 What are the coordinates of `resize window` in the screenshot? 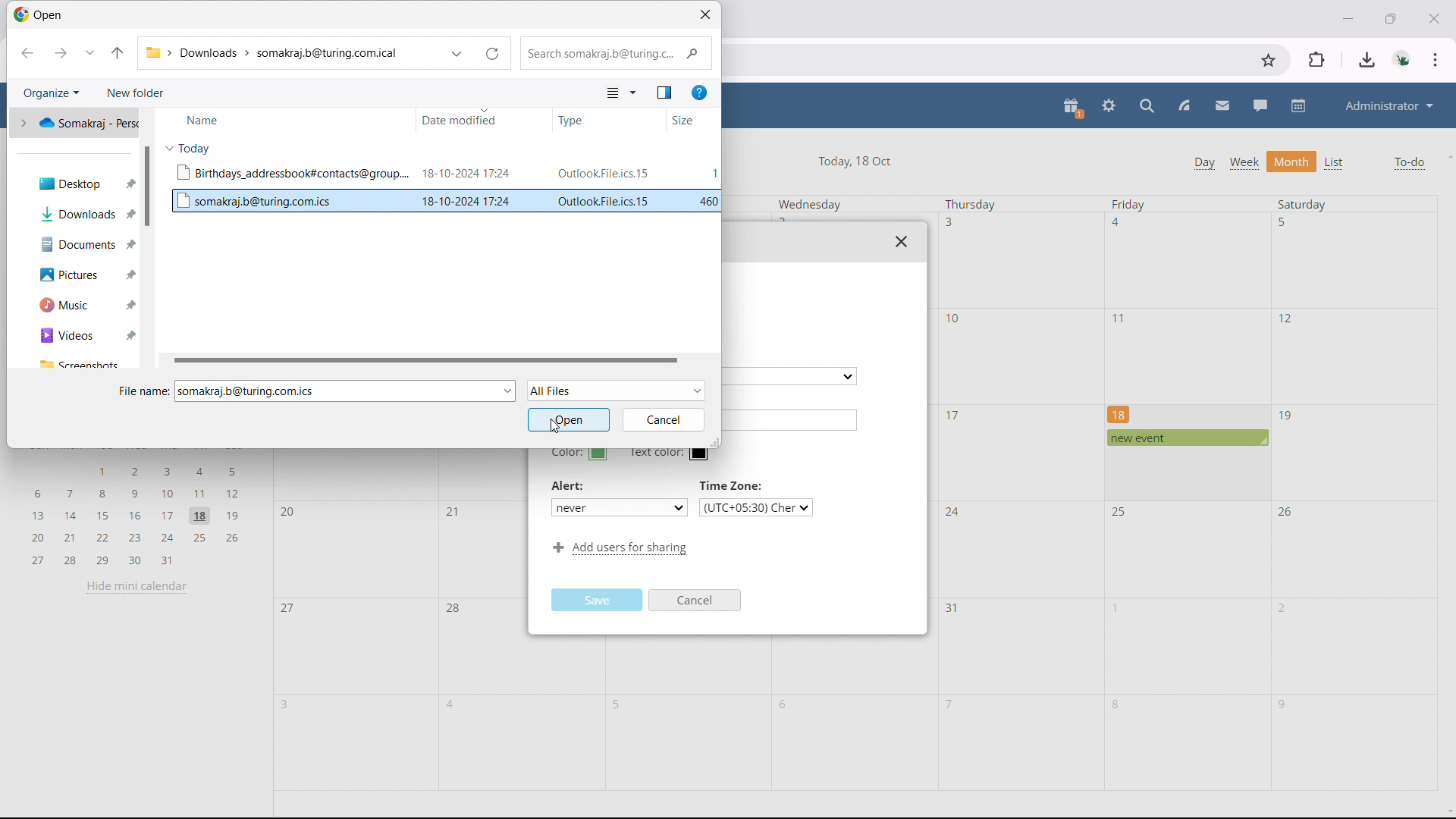 It's located at (715, 441).